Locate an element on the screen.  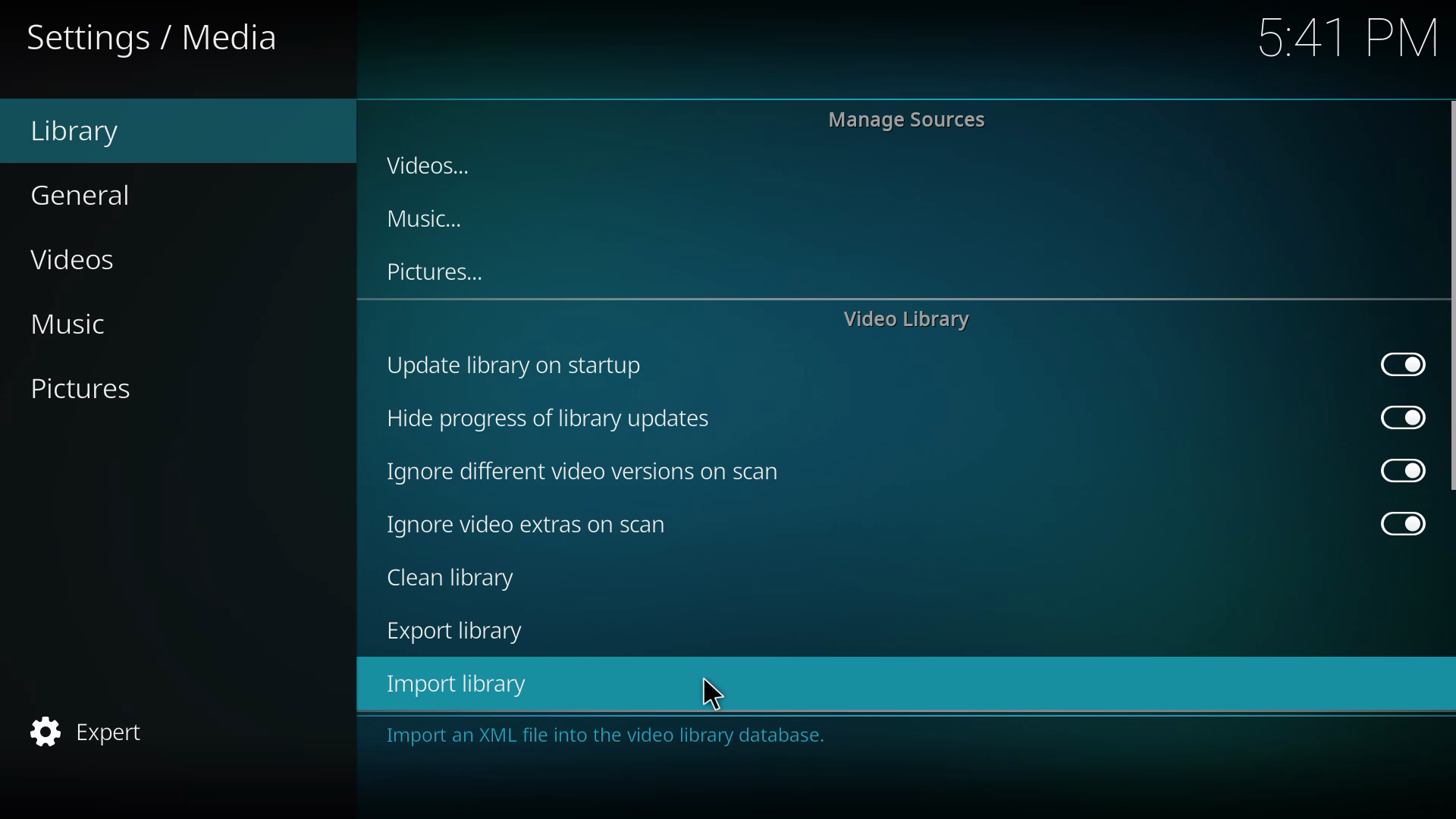
ignore video extras on scan is located at coordinates (911, 524).